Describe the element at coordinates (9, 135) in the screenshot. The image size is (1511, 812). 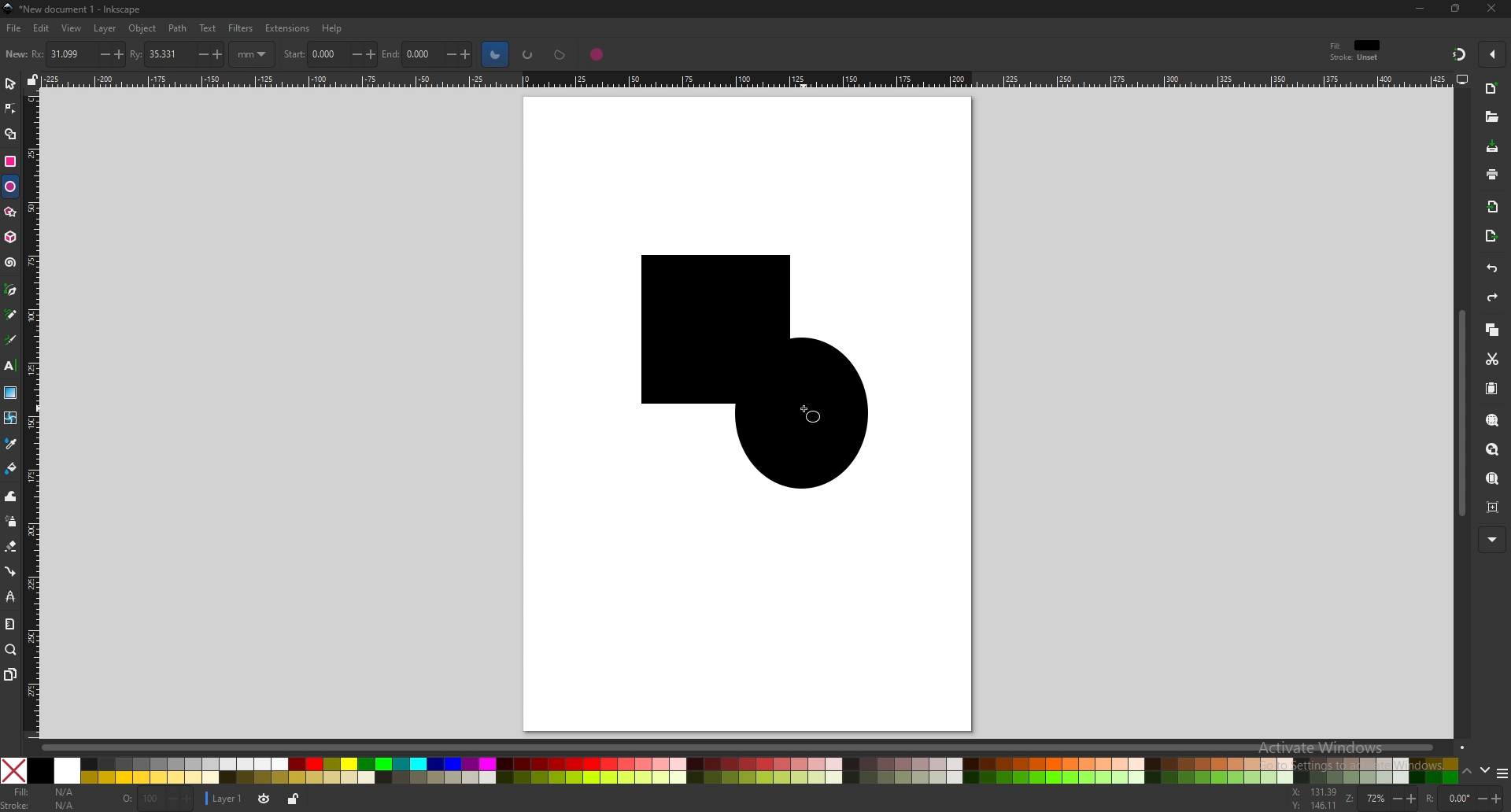
I see `shape builder` at that location.